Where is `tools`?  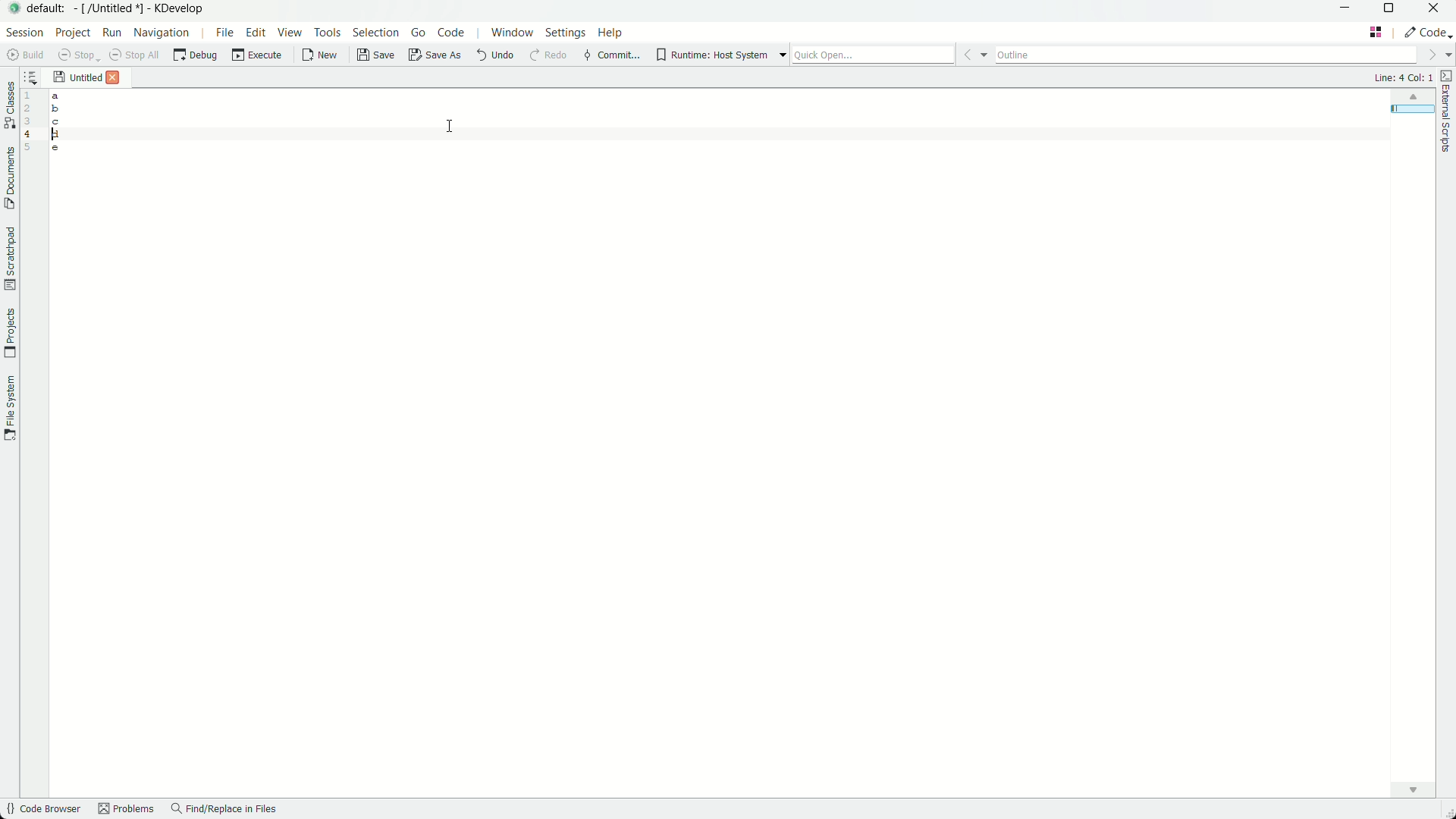
tools is located at coordinates (328, 34).